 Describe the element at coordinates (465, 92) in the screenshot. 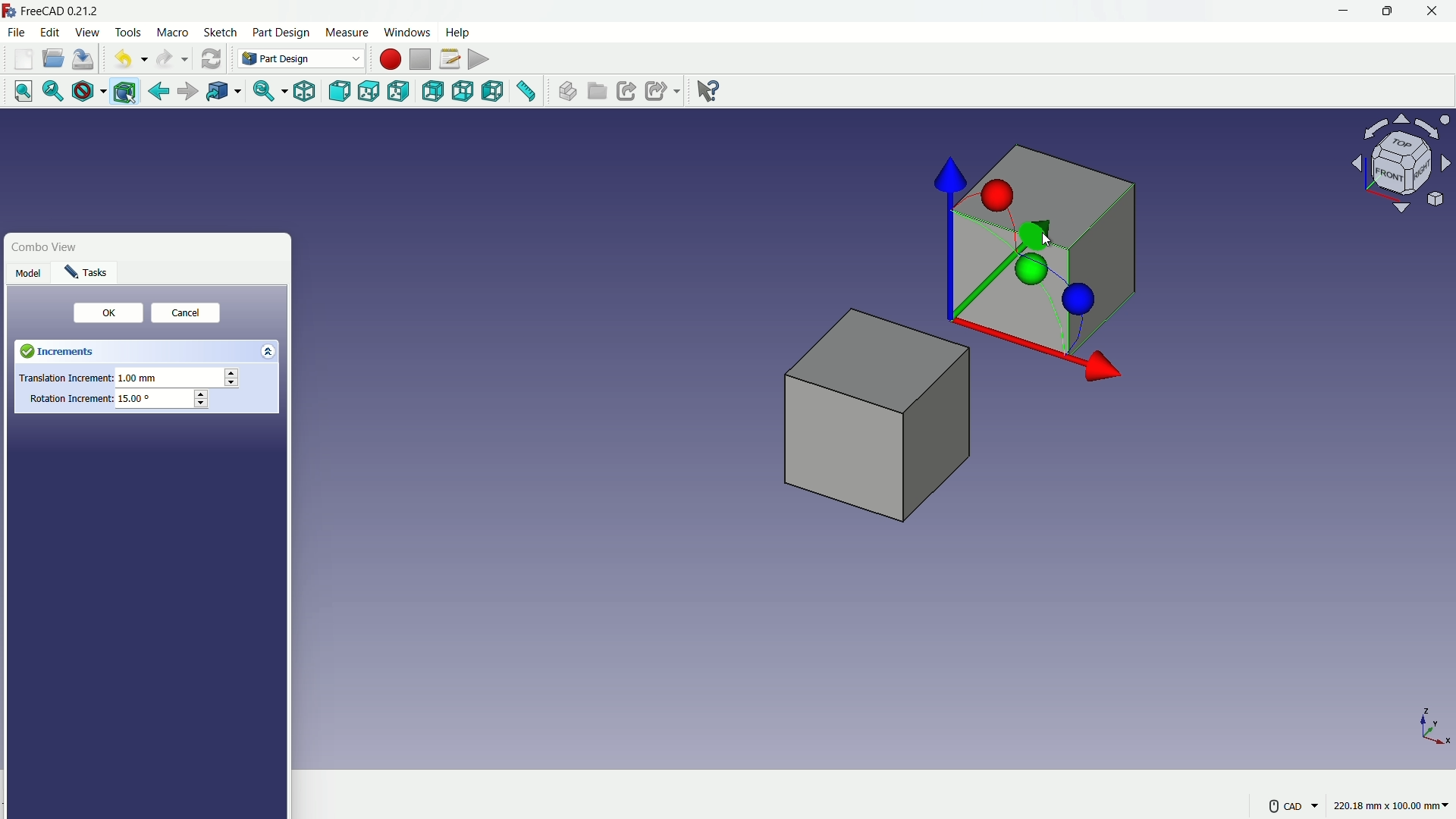

I see `bottom view` at that location.